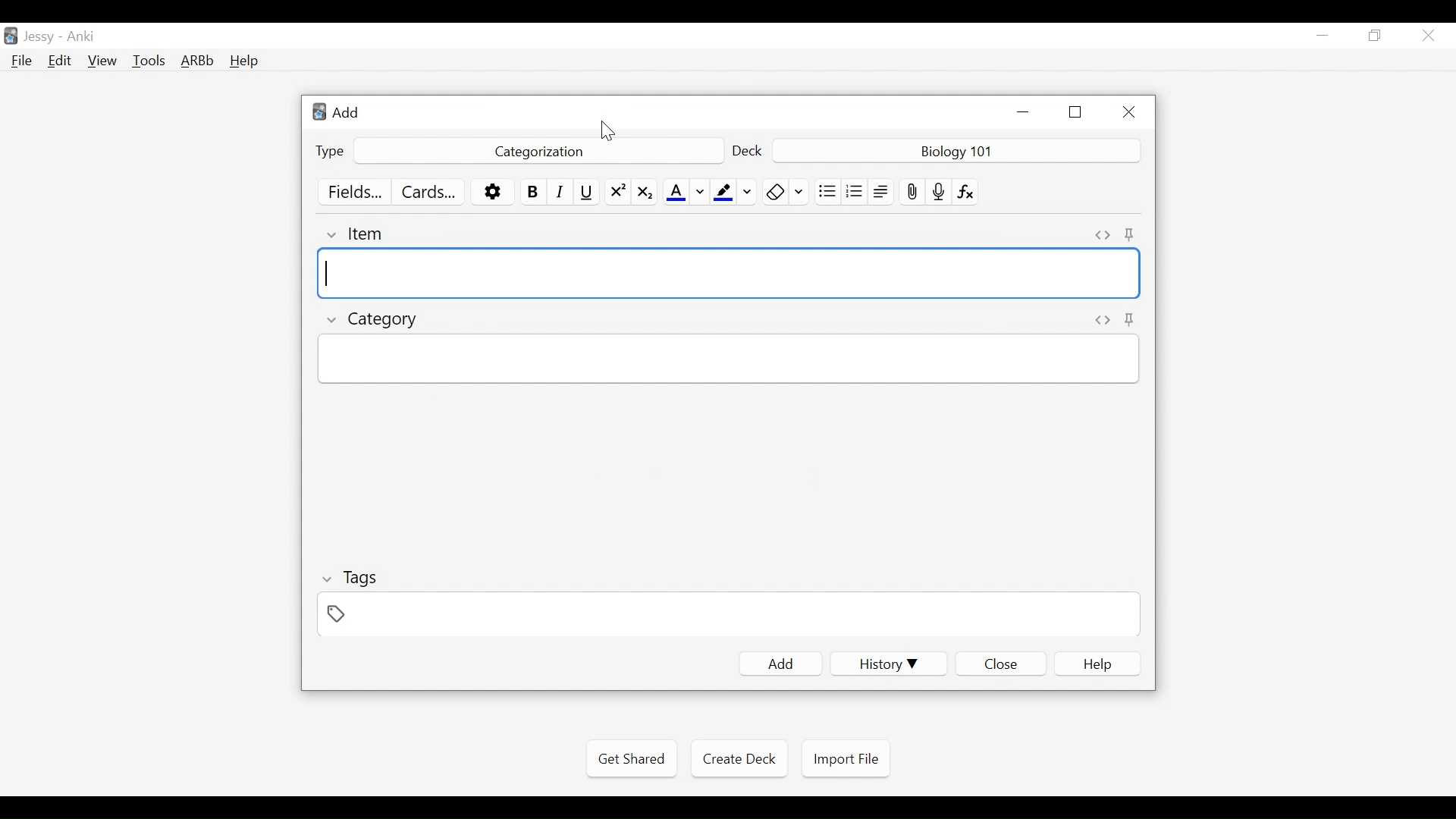 The height and width of the screenshot is (819, 1456). Describe the element at coordinates (1103, 235) in the screenshot. I see `Toggle HTML Editor` at that location.